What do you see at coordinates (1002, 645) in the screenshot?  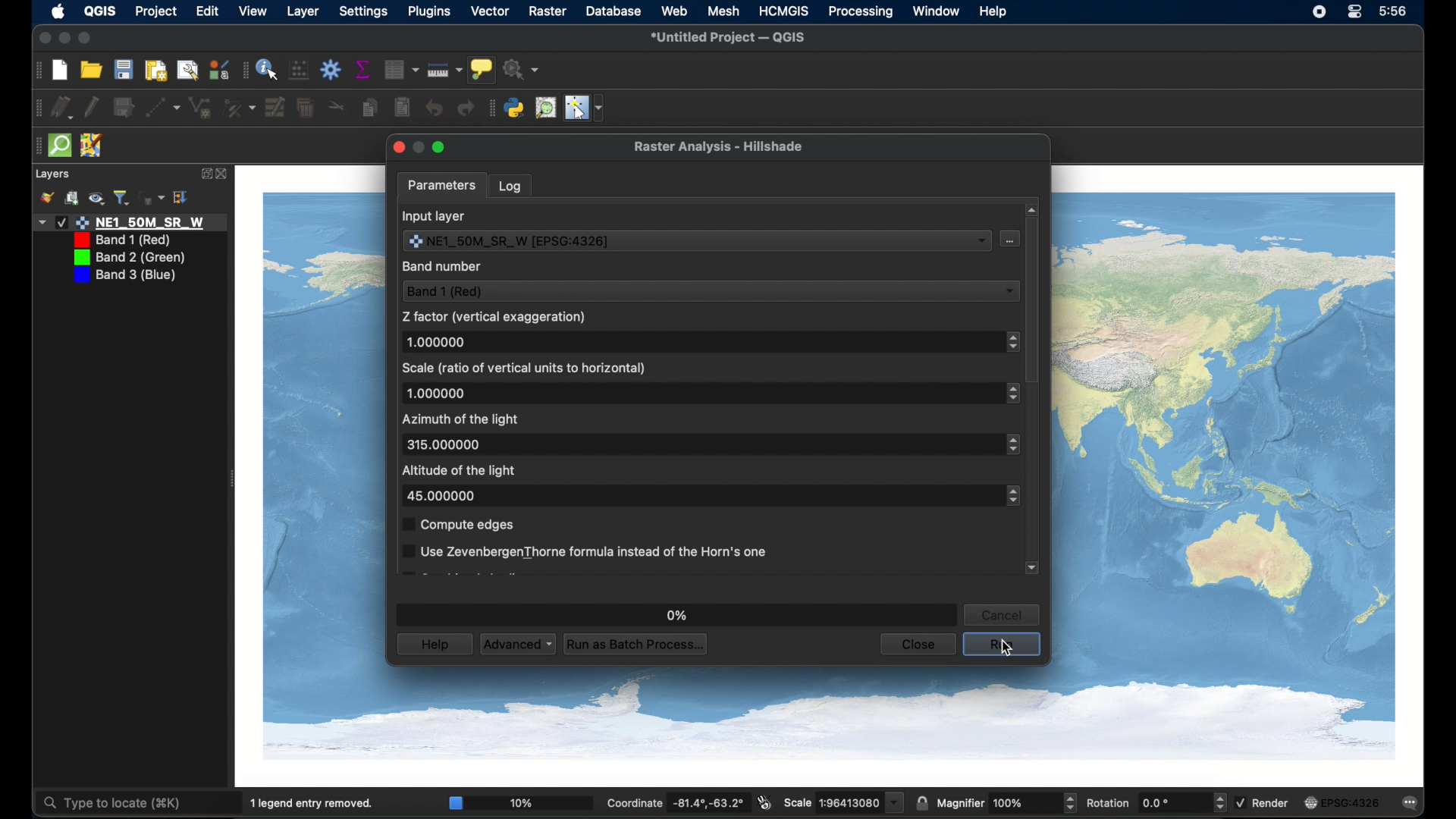 I see `run` at bounding box center [1002, 645].